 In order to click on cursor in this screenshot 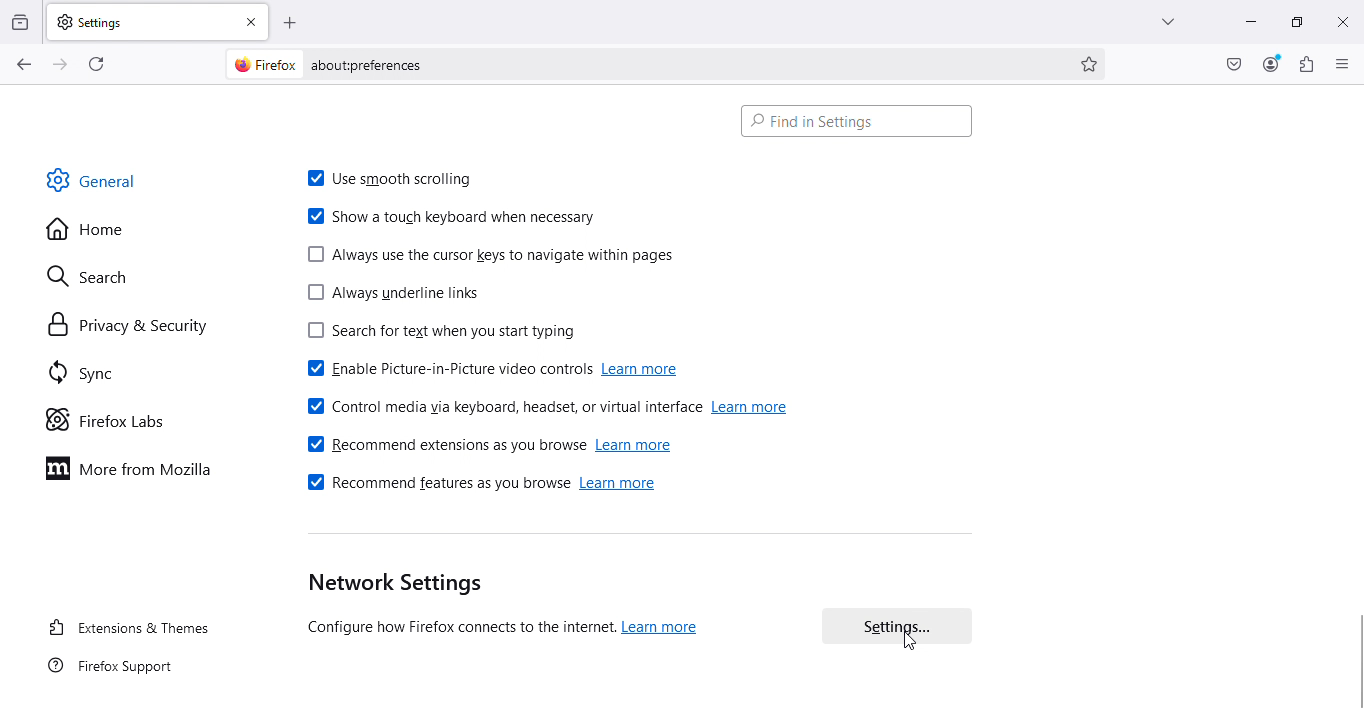, I will do `click(1355, 662)`.